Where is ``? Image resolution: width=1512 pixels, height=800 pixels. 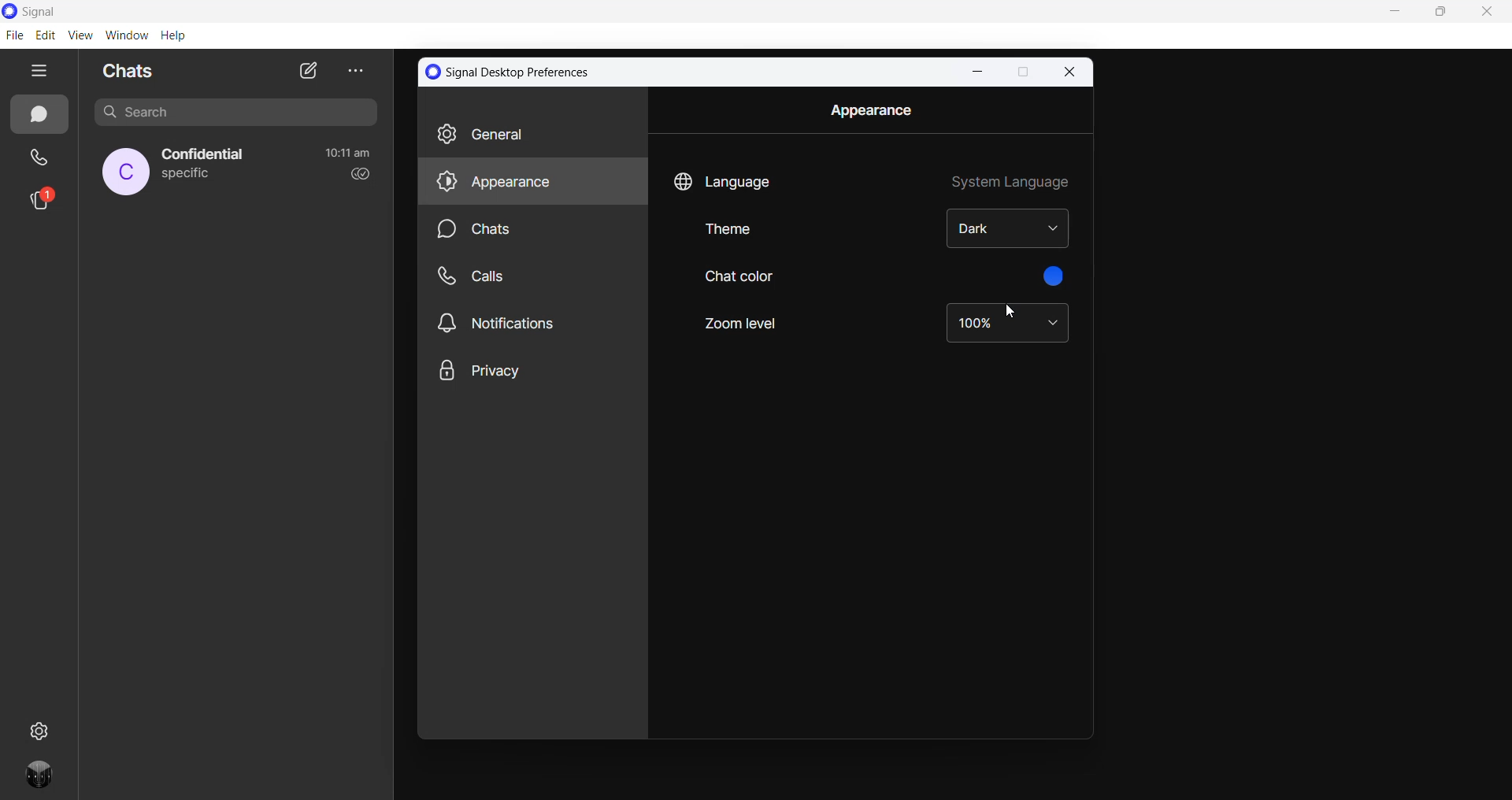
 is located at coordinates (532, 322).